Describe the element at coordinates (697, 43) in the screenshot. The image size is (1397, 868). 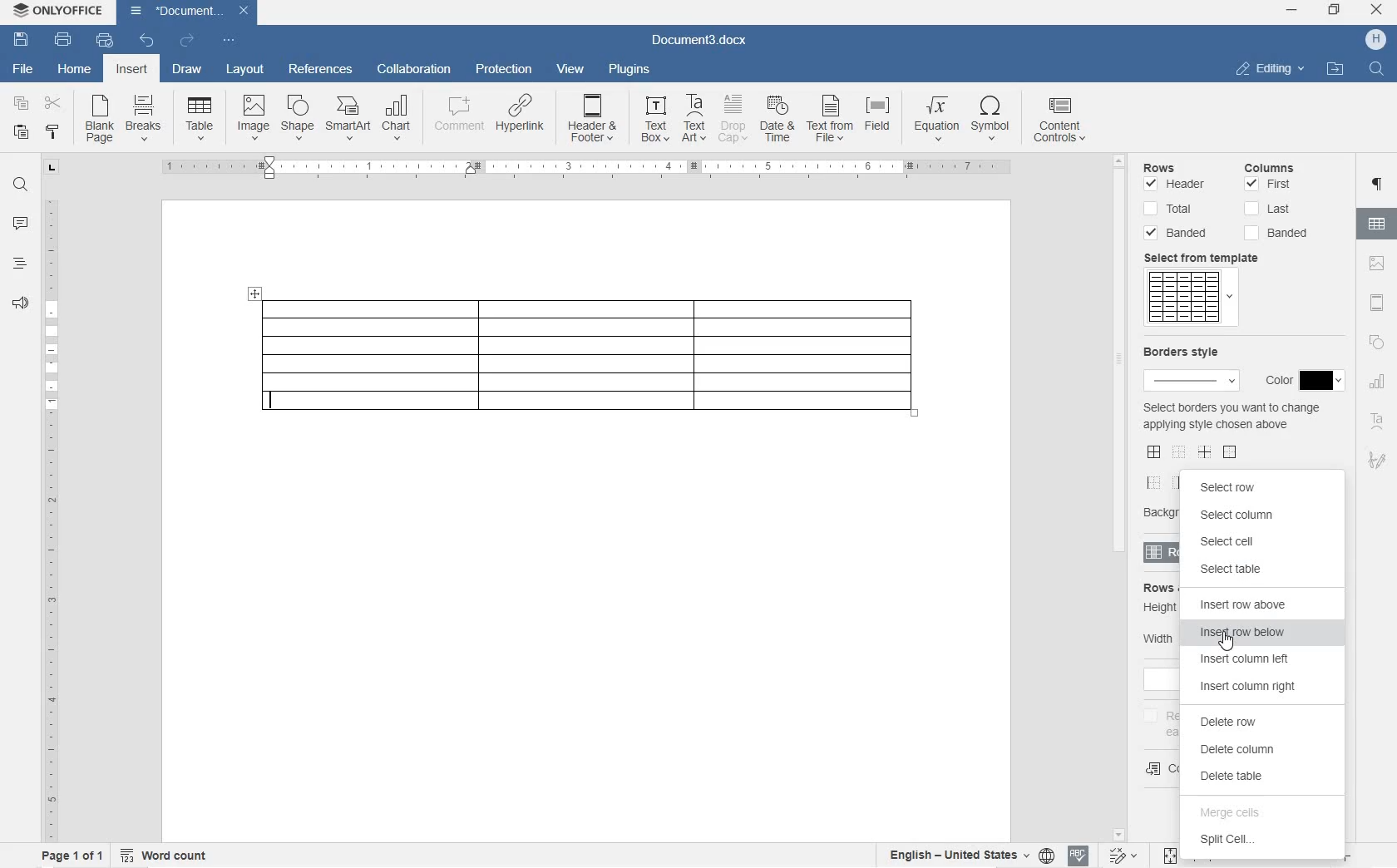
I see `Document3.docx` at that location.